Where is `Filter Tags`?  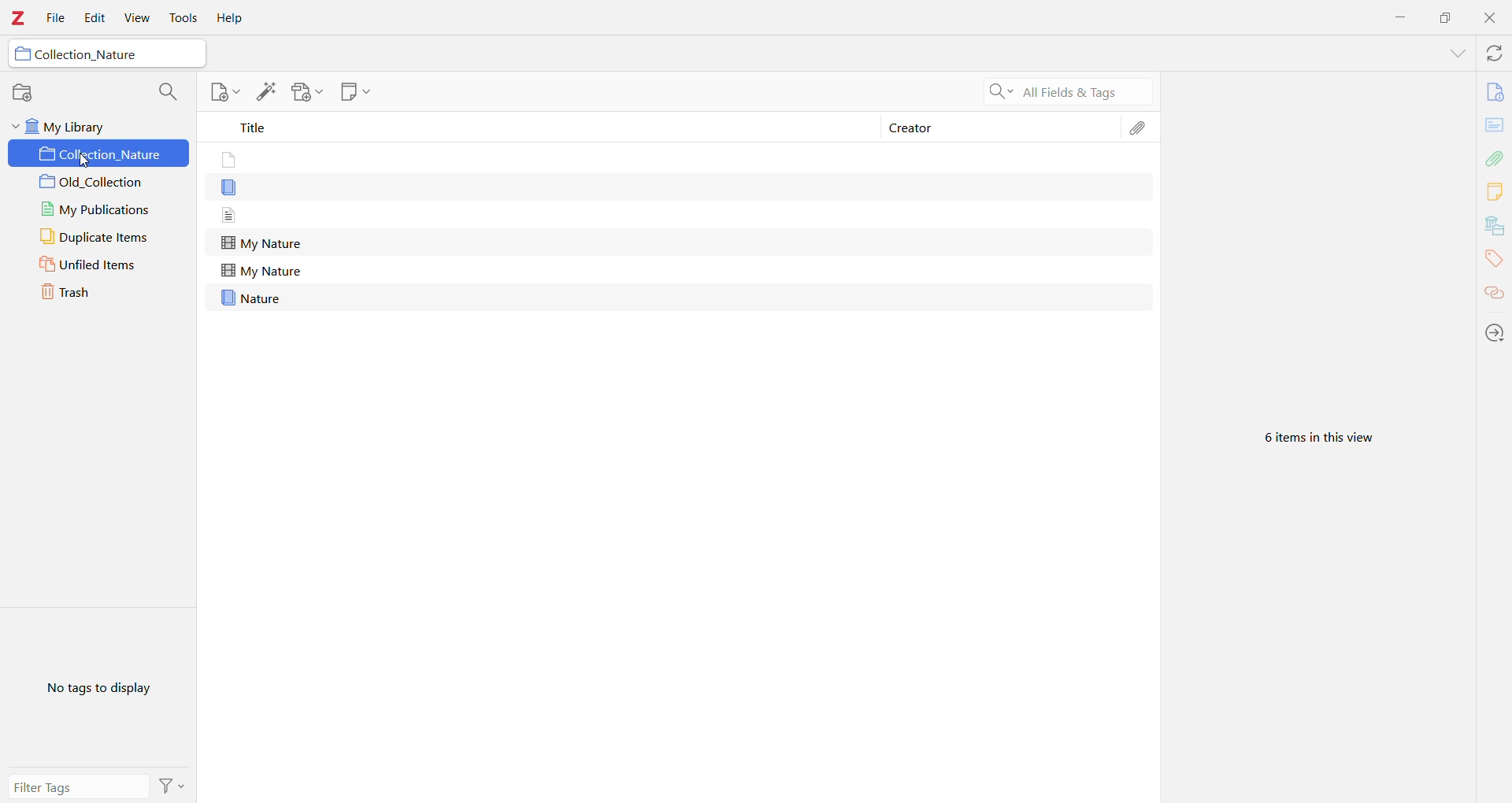 Filter Tags is located at coordinates (80, 787).